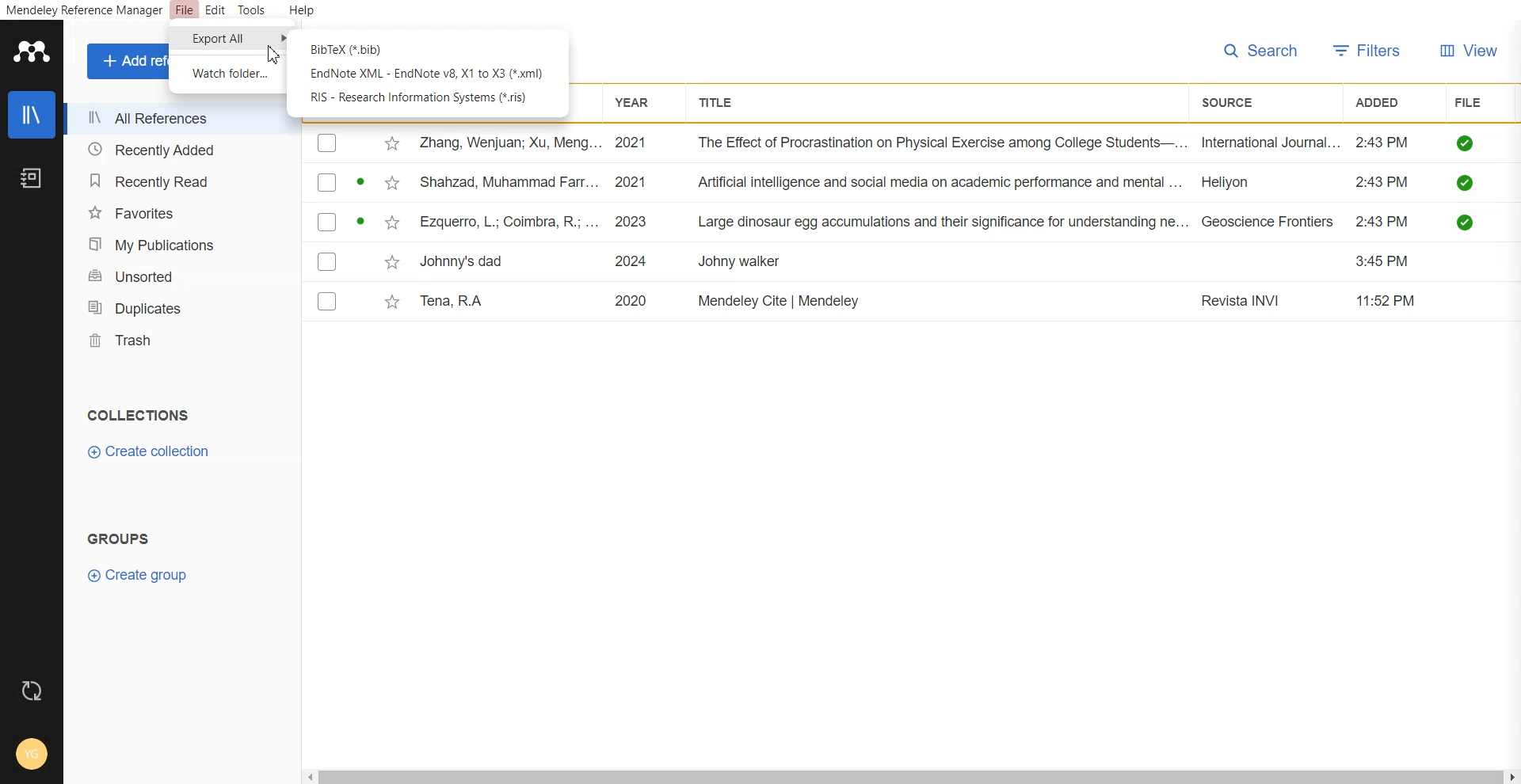 This screenshot has width=1521, height=784. I want to click on scroll left, so click(308, 776).